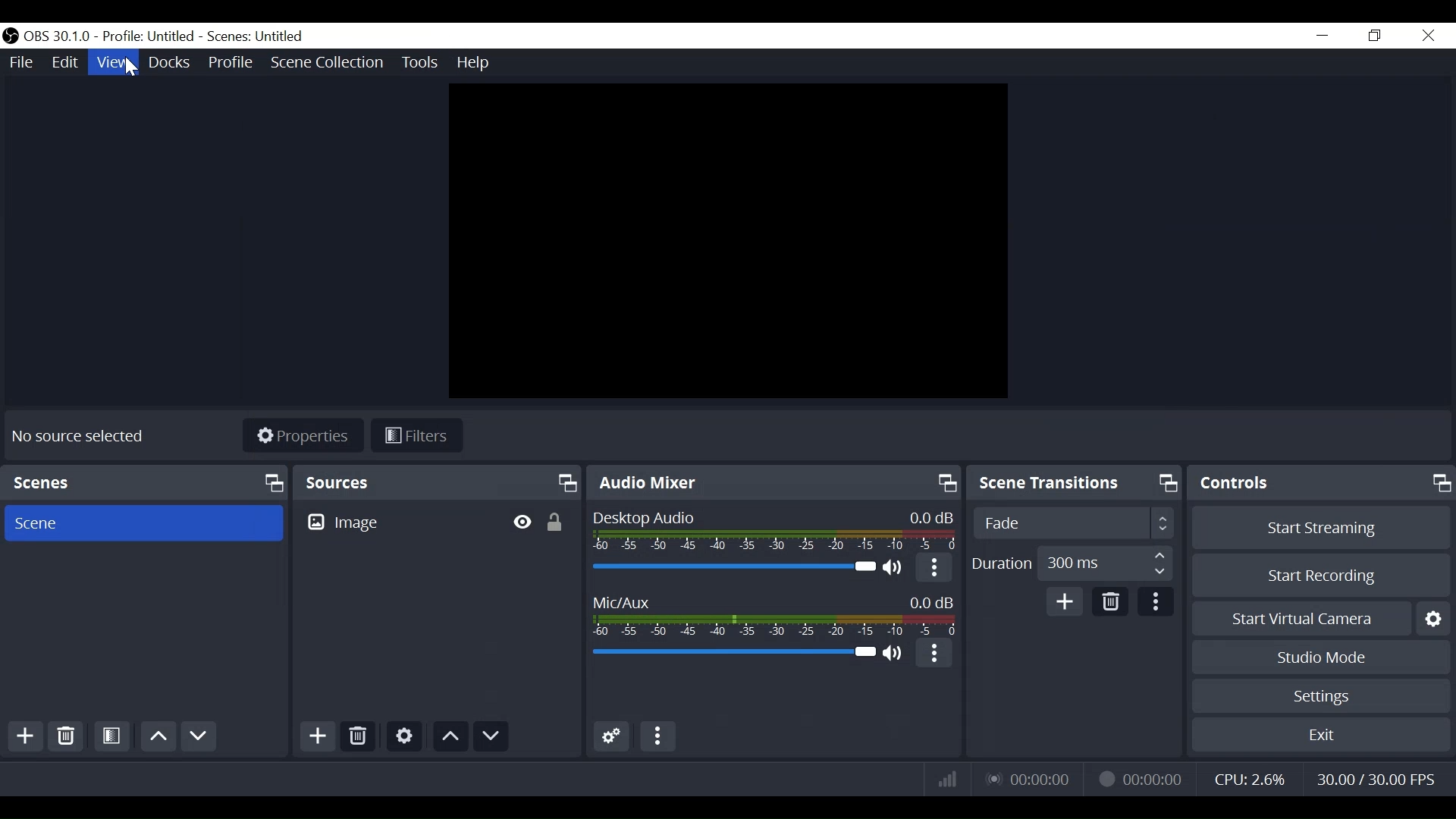 The width and height of the screenshot is (1456, 819). What do you see at coordinates (1072, 522) in the screenshot?
I see `Adjust Scene Transition` at bounding box center [1072, 522].